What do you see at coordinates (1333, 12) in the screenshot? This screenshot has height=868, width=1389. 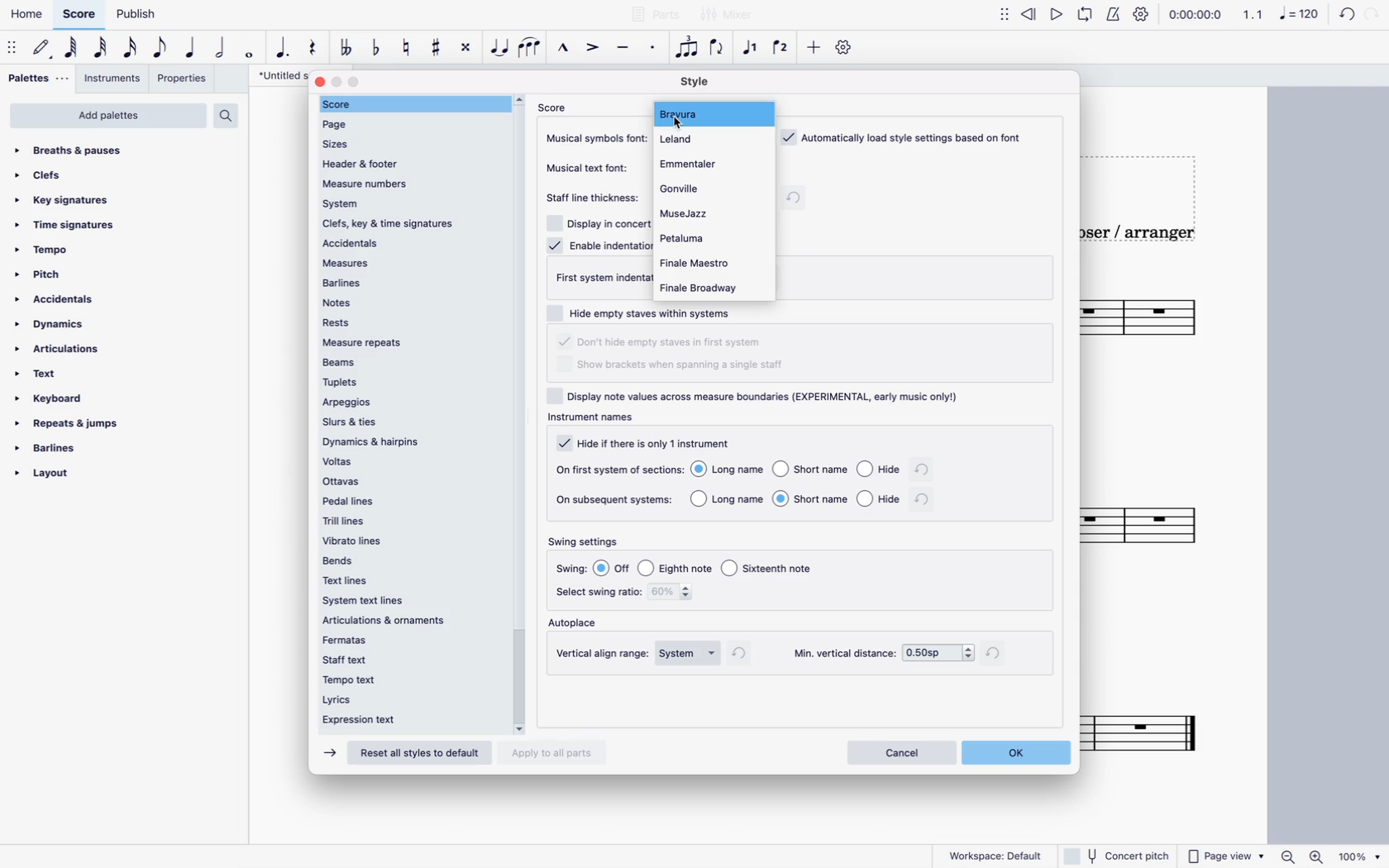 I see `cord` at bounding box center [1333, 12].